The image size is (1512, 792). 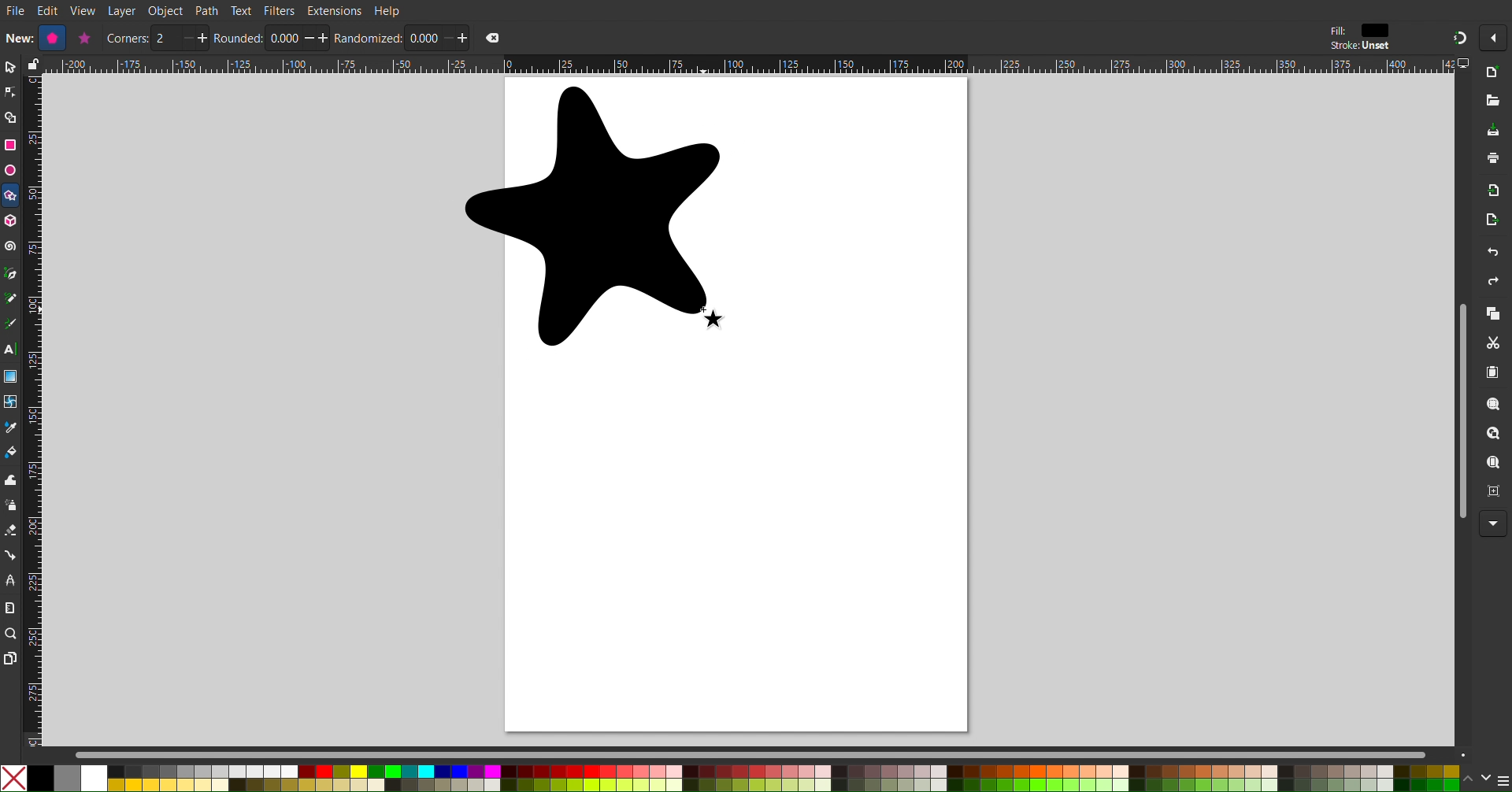 I want to click on Stroke: Unset, so click(x=1359, y=46).